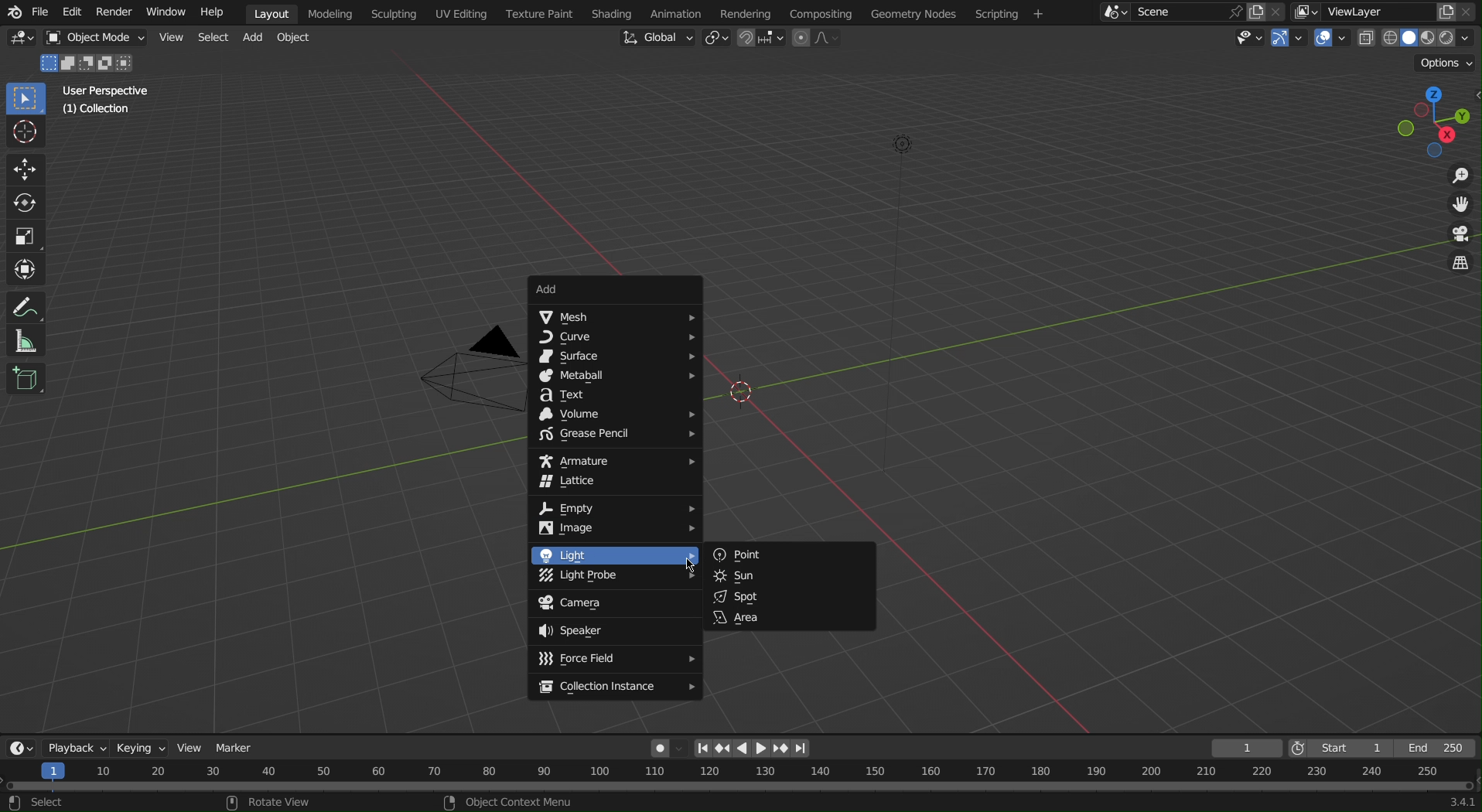 The width and height of the screenshot is (1482, 812). I want to click on UV Editing, so click(463, 13).